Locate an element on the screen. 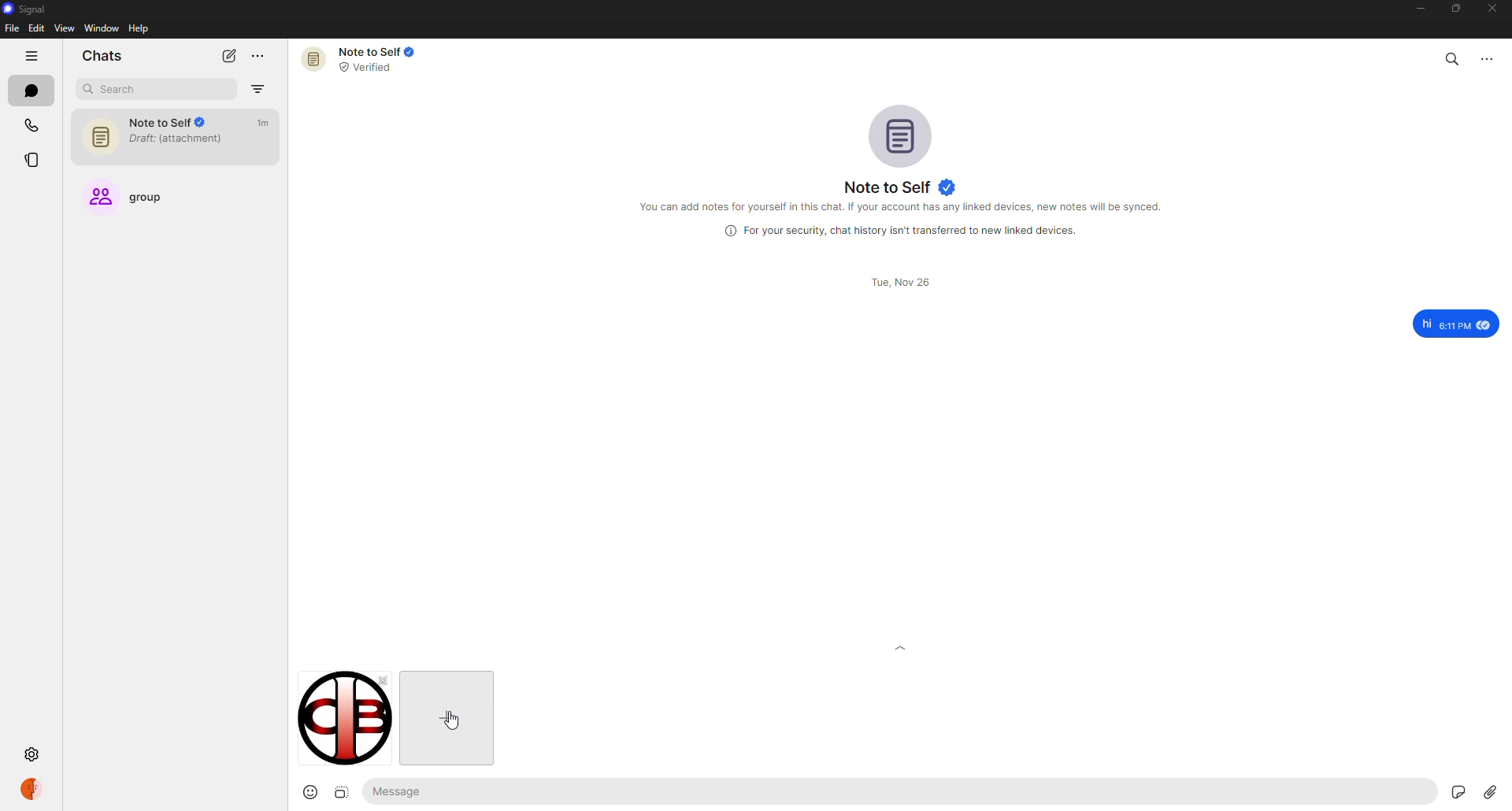  chats is located at coordinates (107, 54).